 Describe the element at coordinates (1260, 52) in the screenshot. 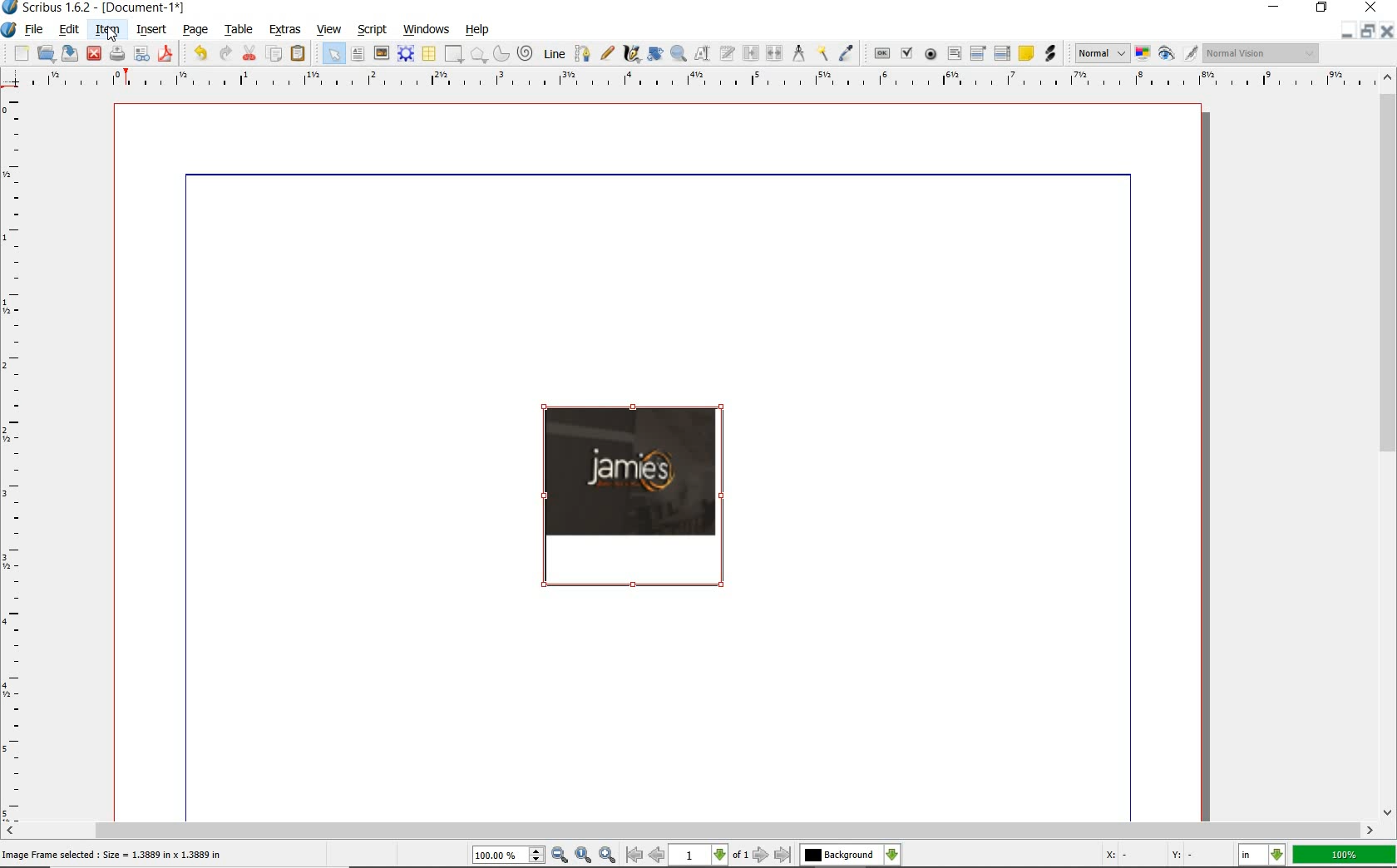

I see `visual appearance of the display: Normal Vision` at that location.